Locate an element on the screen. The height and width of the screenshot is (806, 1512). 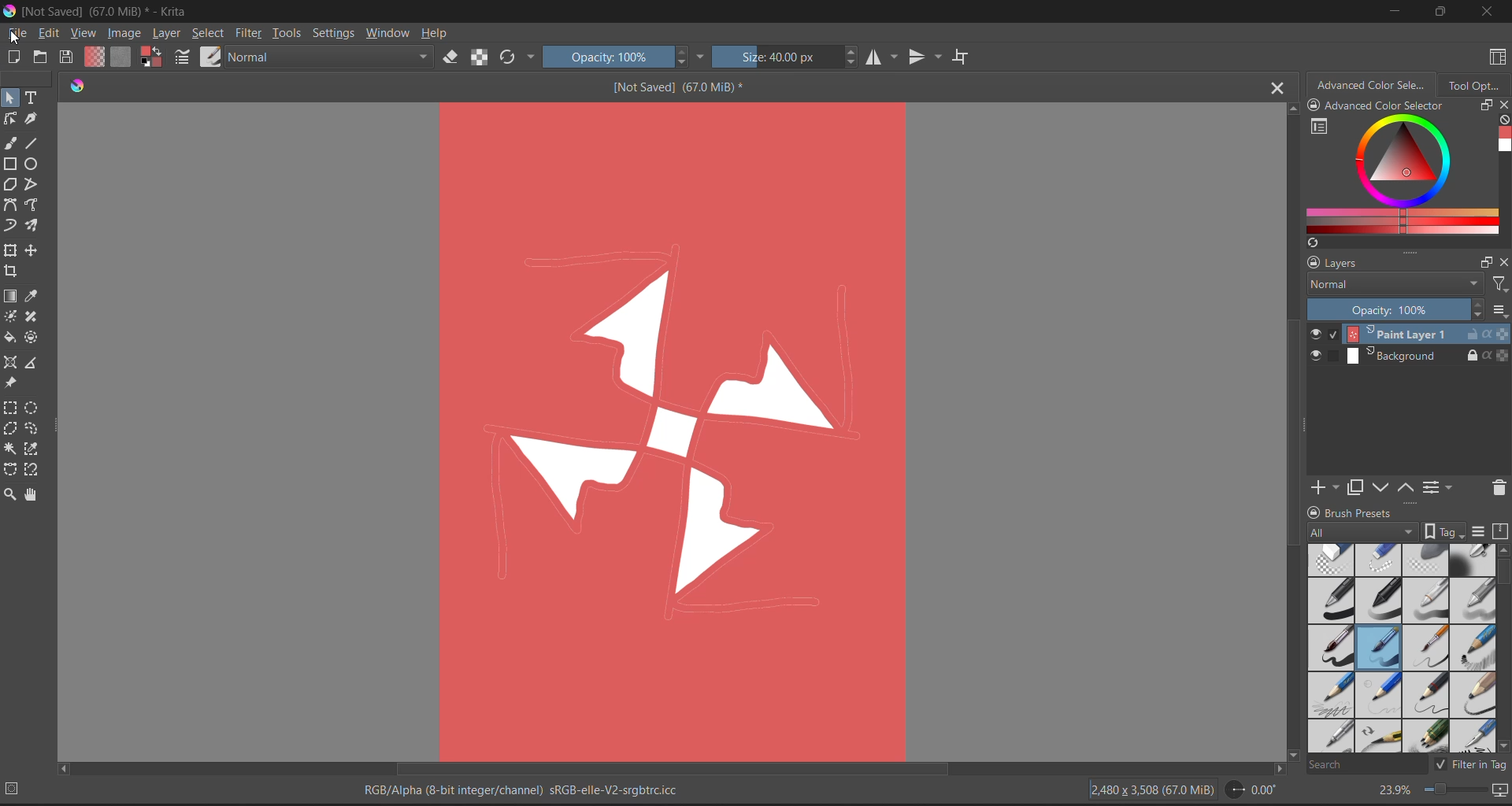
tools is located at coordinates (35, 205).